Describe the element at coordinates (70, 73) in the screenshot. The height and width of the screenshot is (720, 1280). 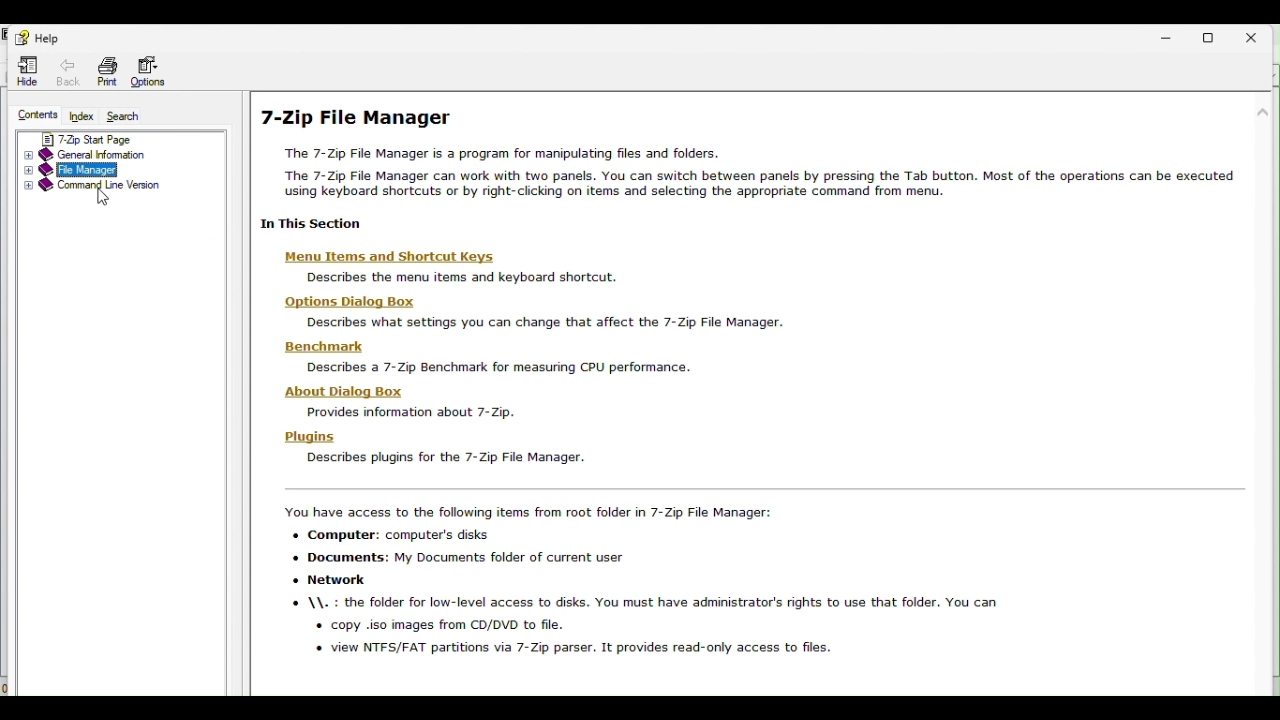
I see `Back ` at that location.